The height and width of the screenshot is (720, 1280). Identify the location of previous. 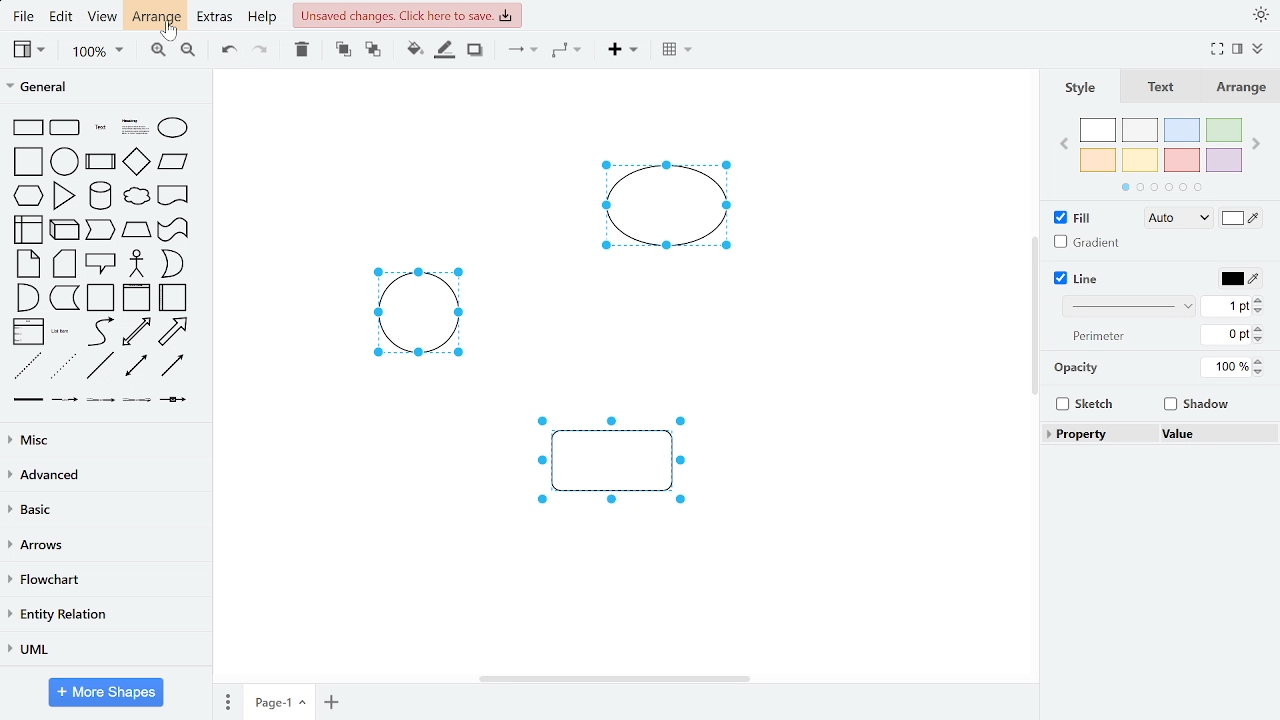
(1064, 146).